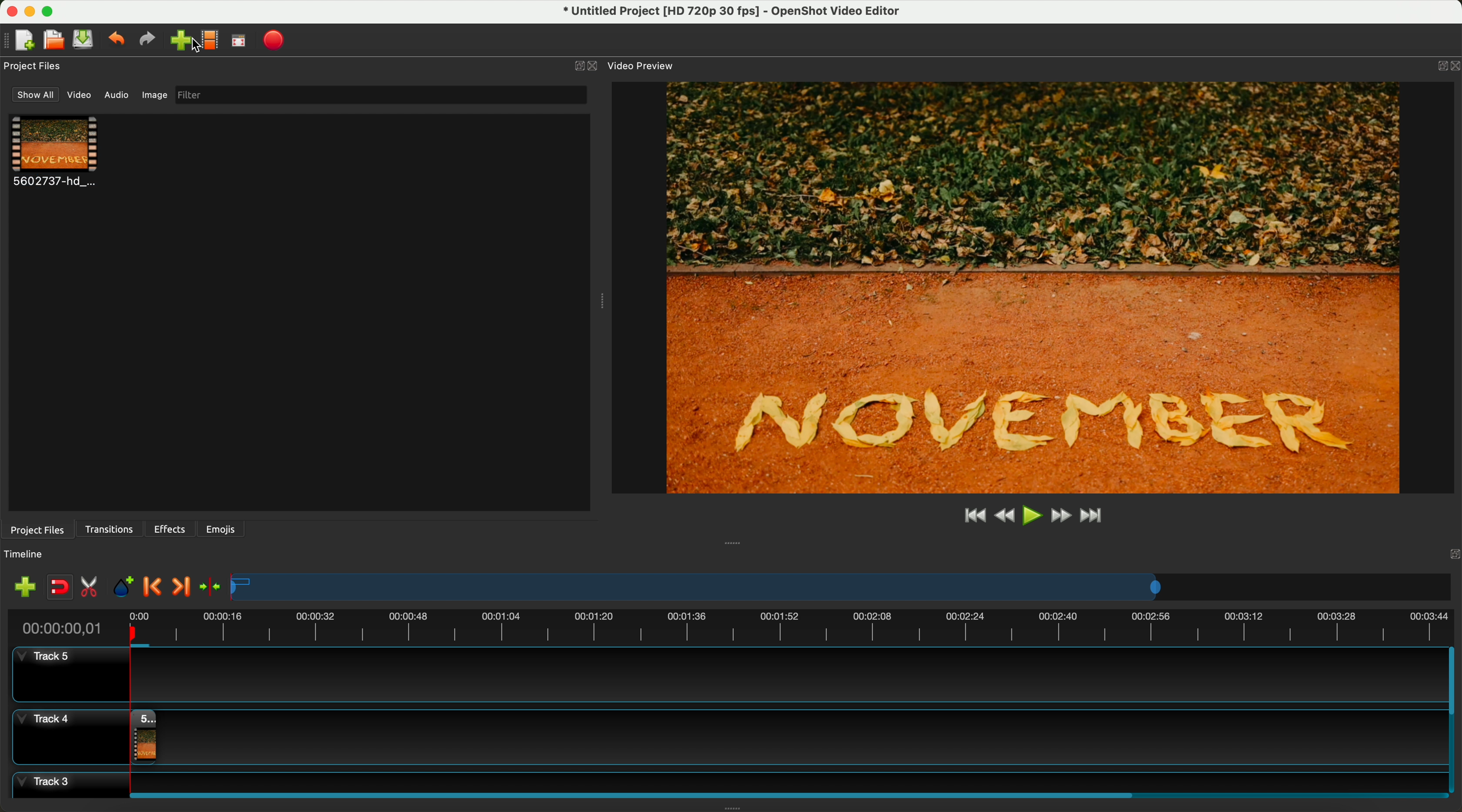 This screenshot has height=812, width=1462. Describe the element at coordinates (92, 589) in the screenshot. I see `enable razor` at that location.